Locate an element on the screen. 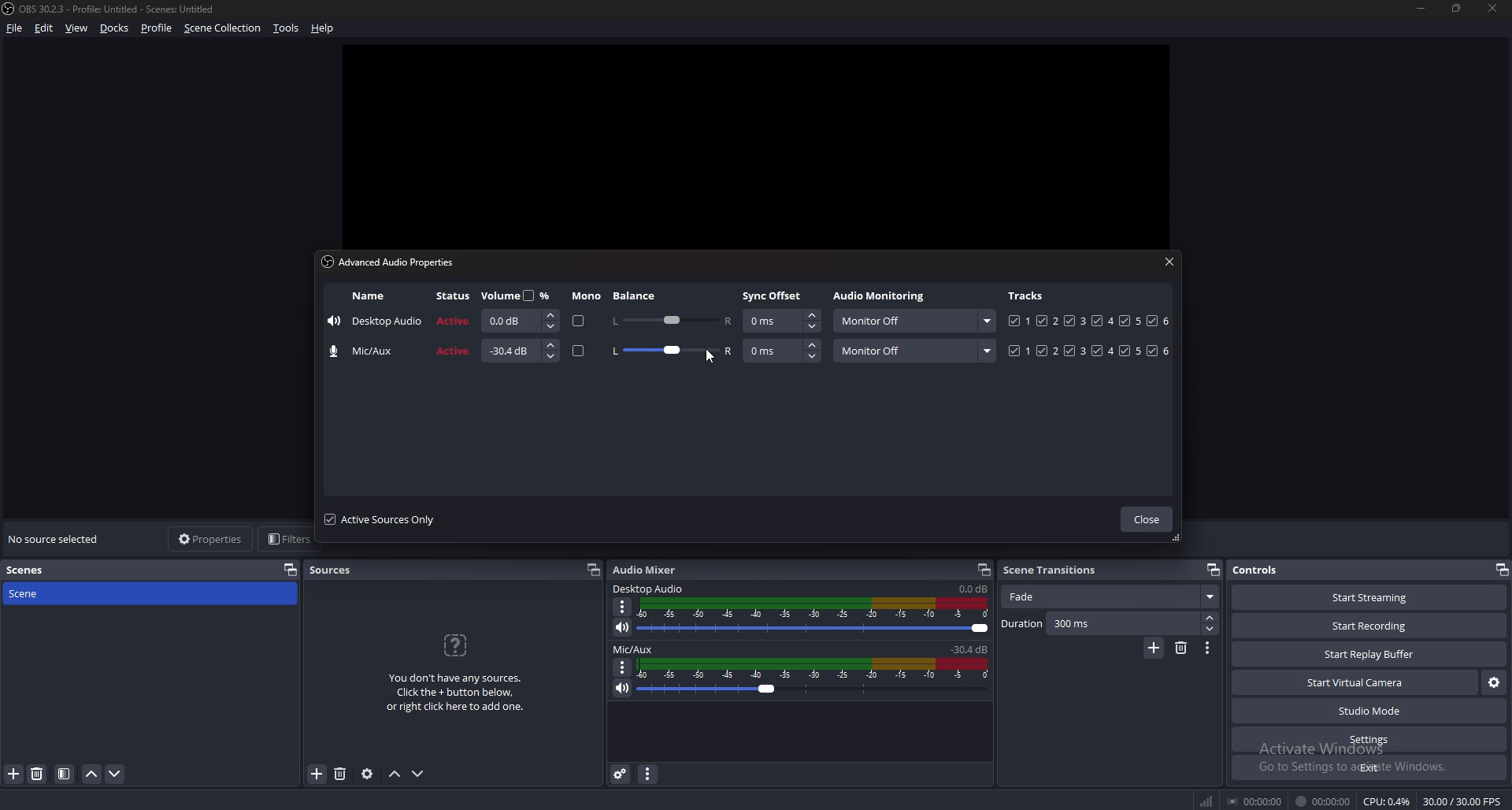  scenes is located at coordinates (32, 570).